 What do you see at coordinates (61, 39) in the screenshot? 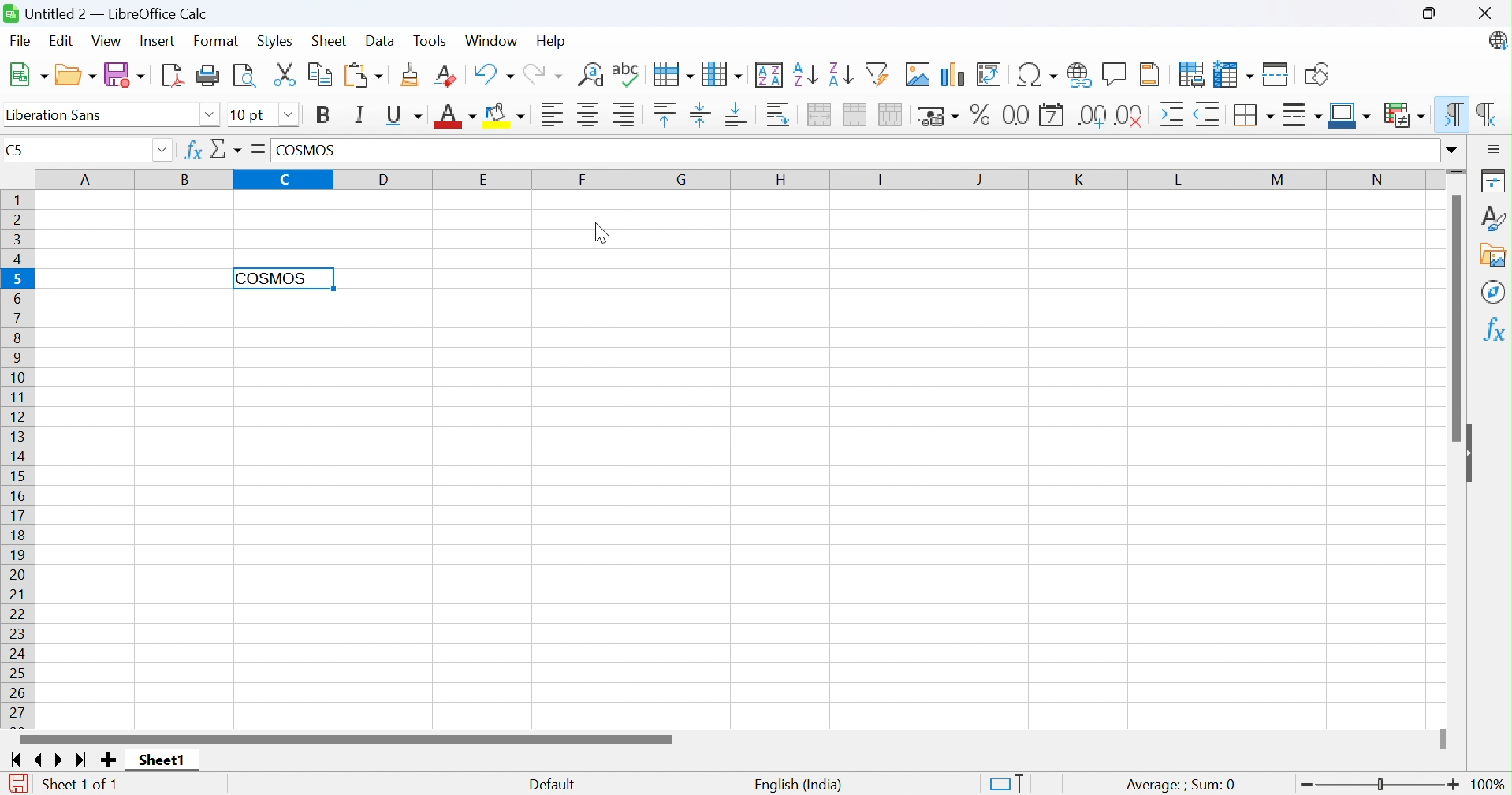
I see `Edit` at bounding box center [61, 39].